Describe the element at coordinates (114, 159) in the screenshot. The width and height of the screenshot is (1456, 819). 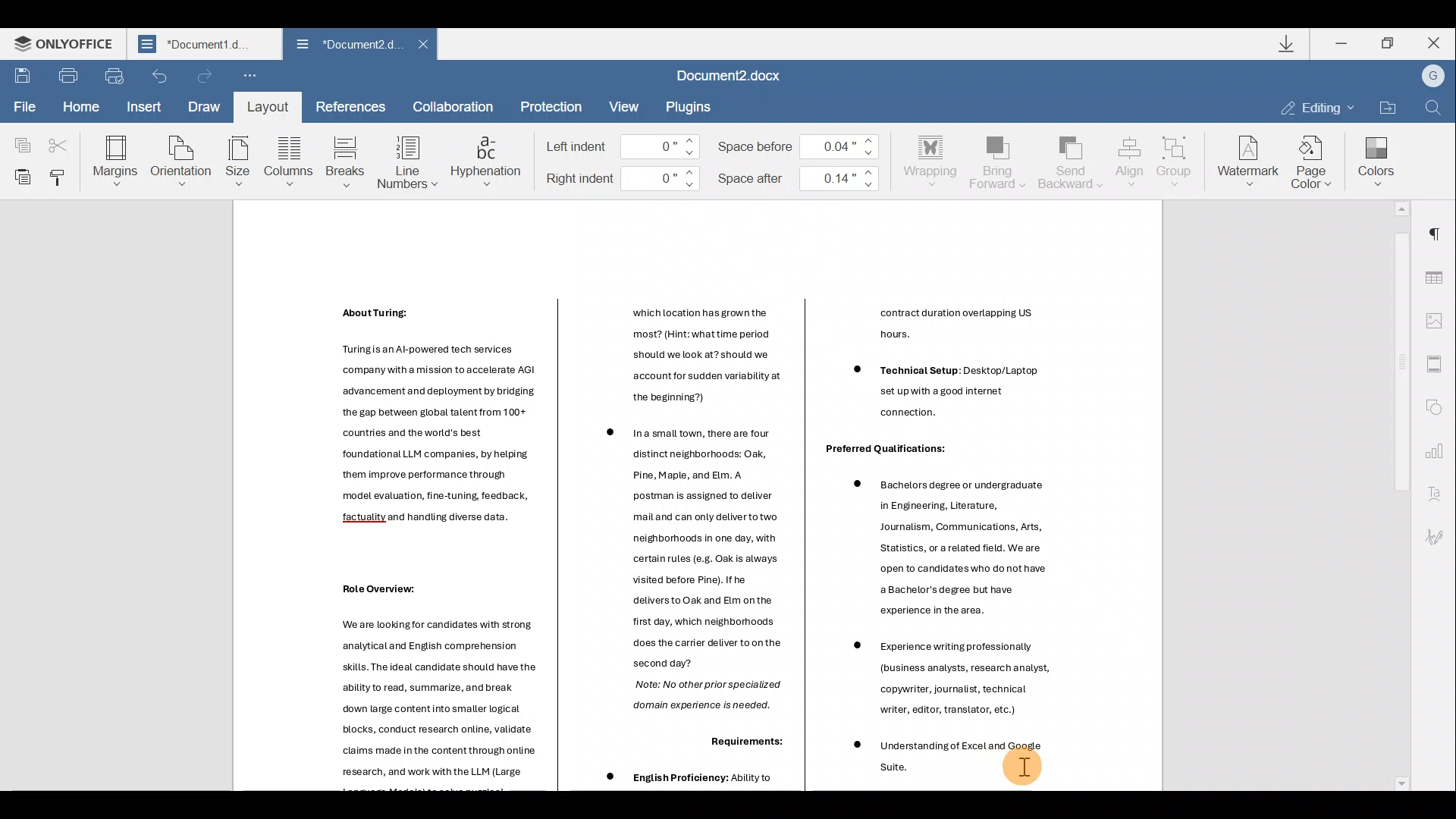
I see `Margins` at that location.